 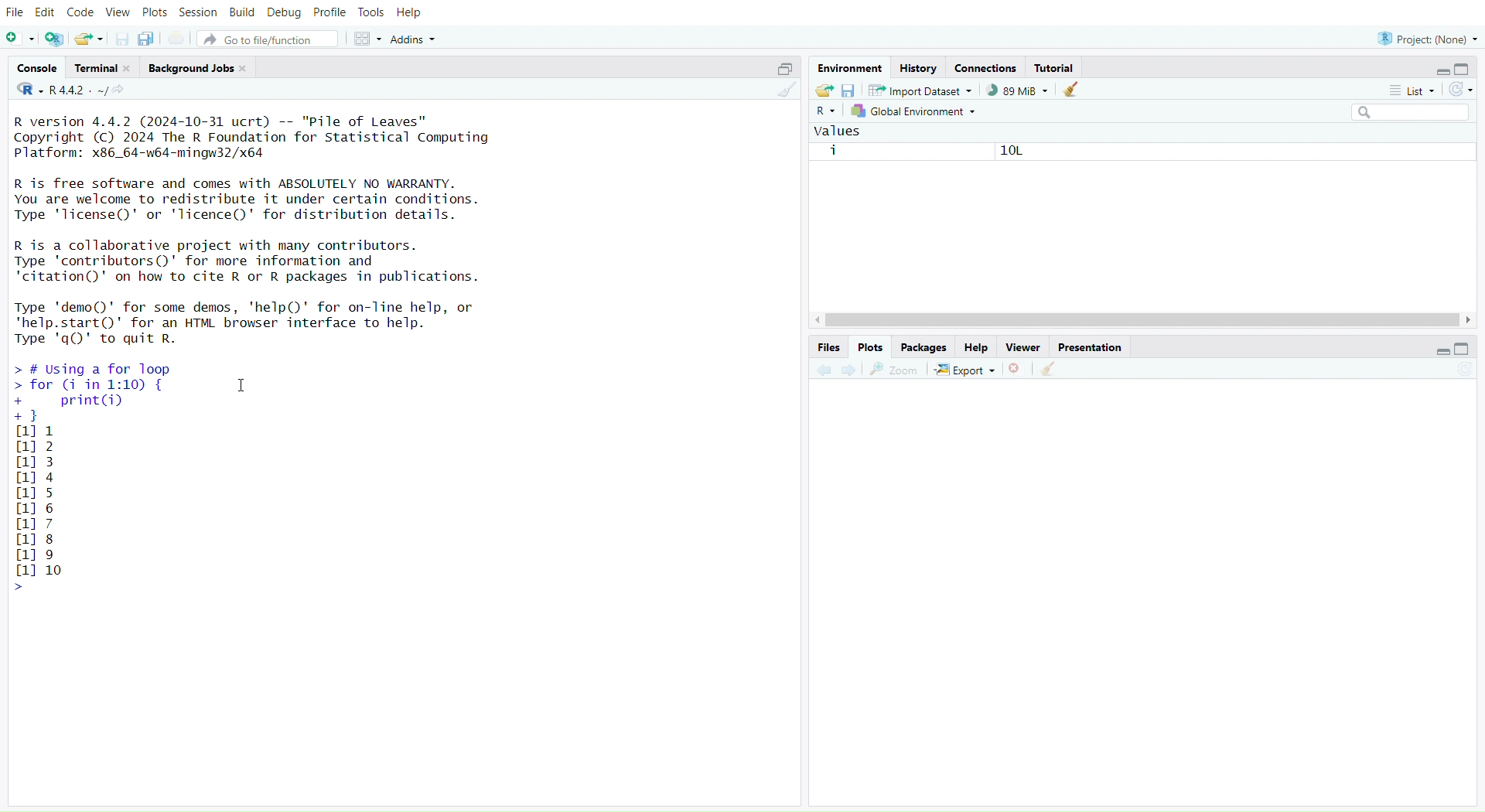 I want to click on debug, so click(x=284, y=12).